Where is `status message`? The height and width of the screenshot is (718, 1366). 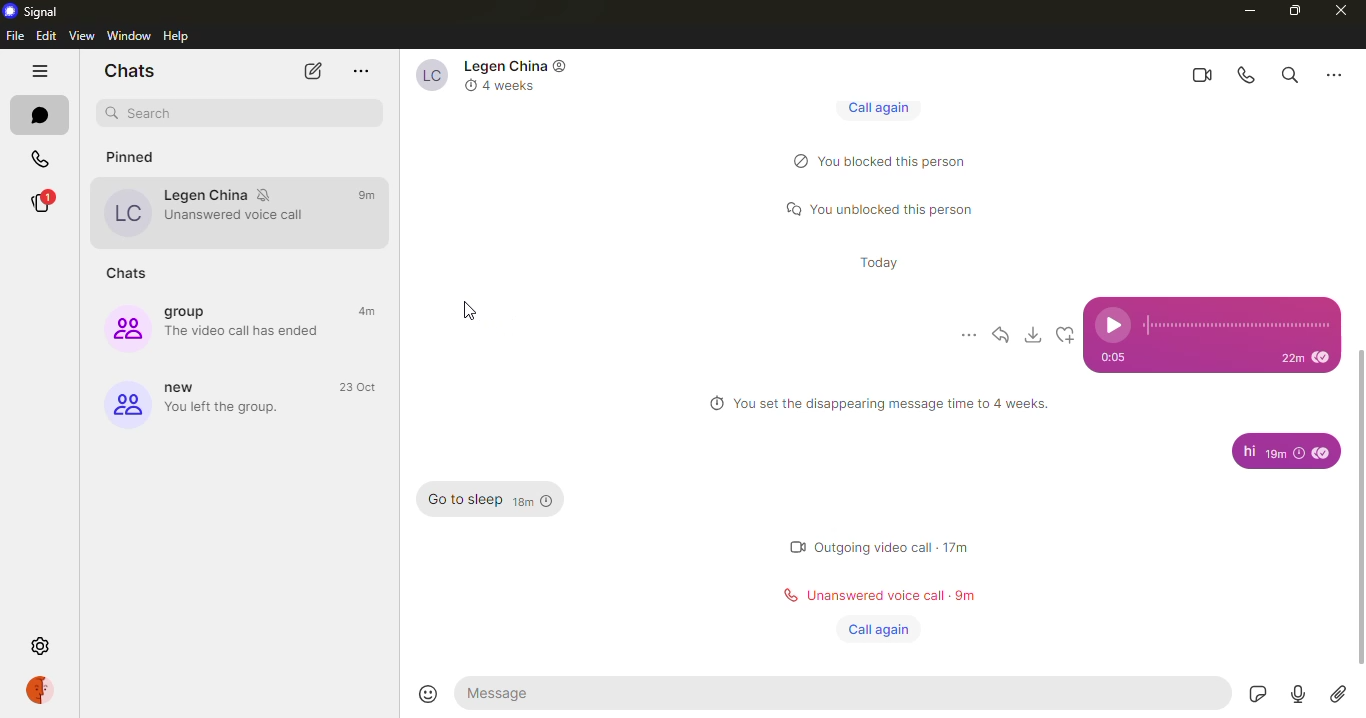
status message is located at coordinates (883, 161).